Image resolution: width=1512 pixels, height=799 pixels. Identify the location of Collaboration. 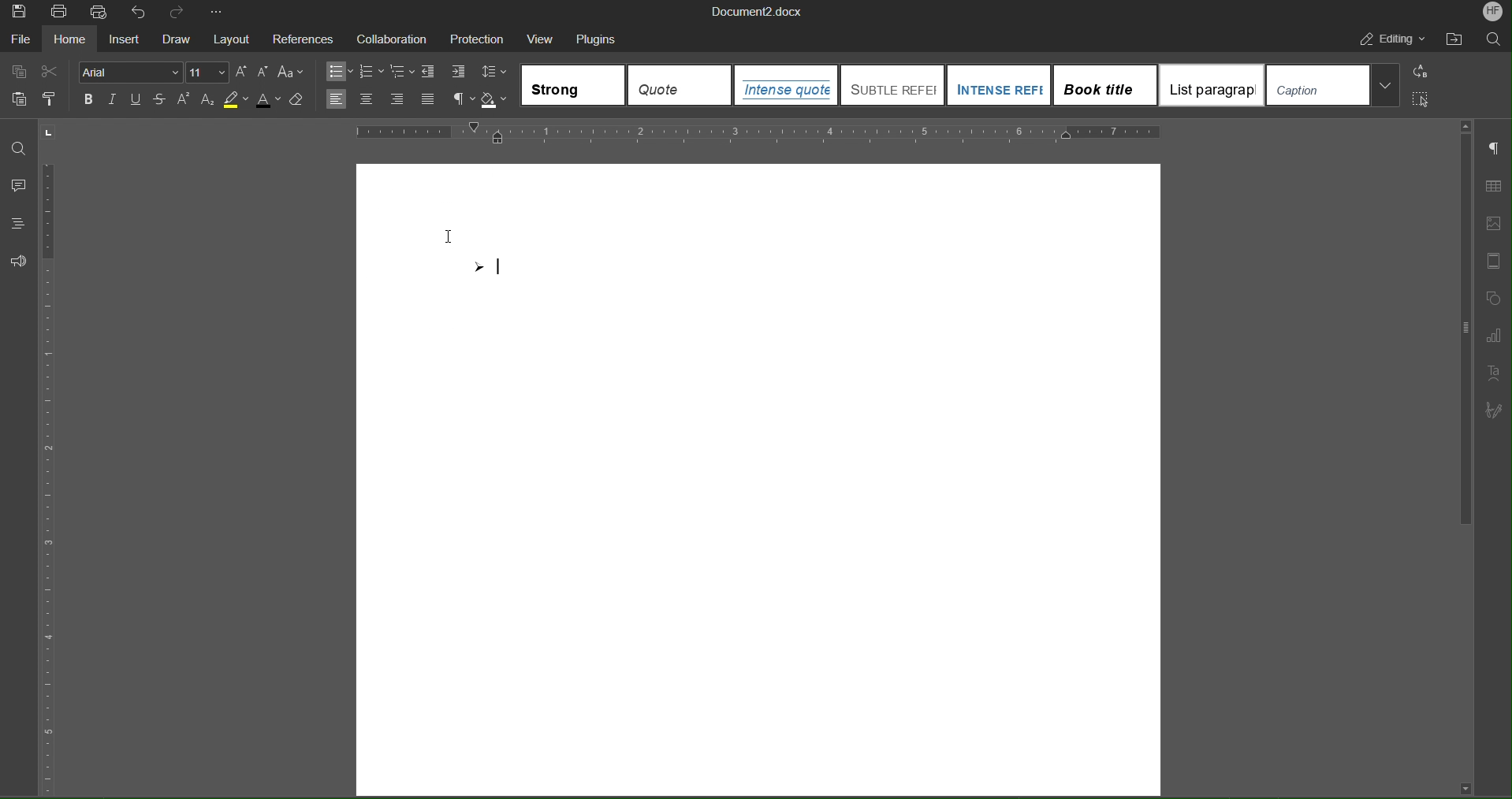
(397, 40).